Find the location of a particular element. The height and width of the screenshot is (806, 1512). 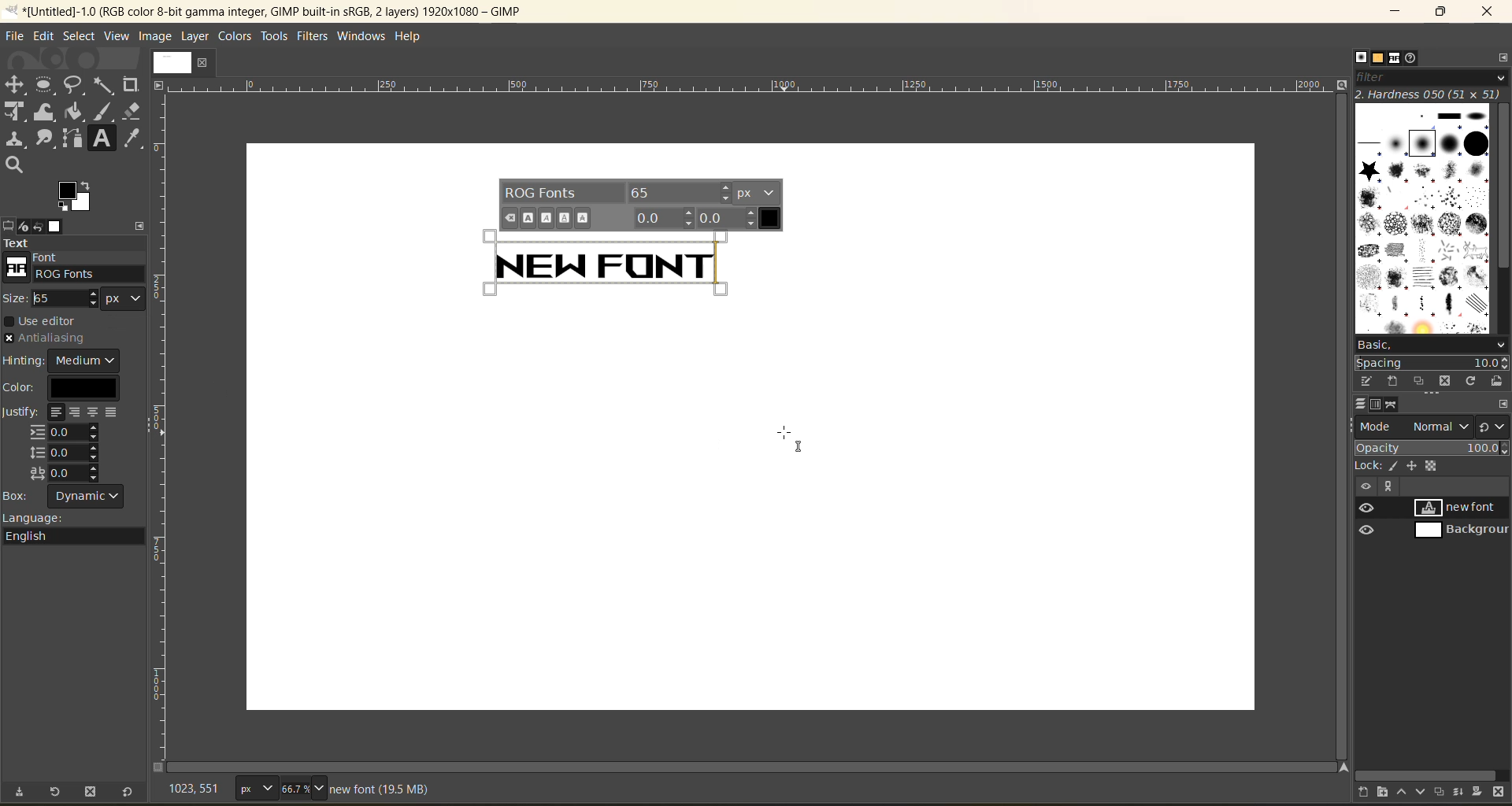

paths is located at coordinates (1392, 404).